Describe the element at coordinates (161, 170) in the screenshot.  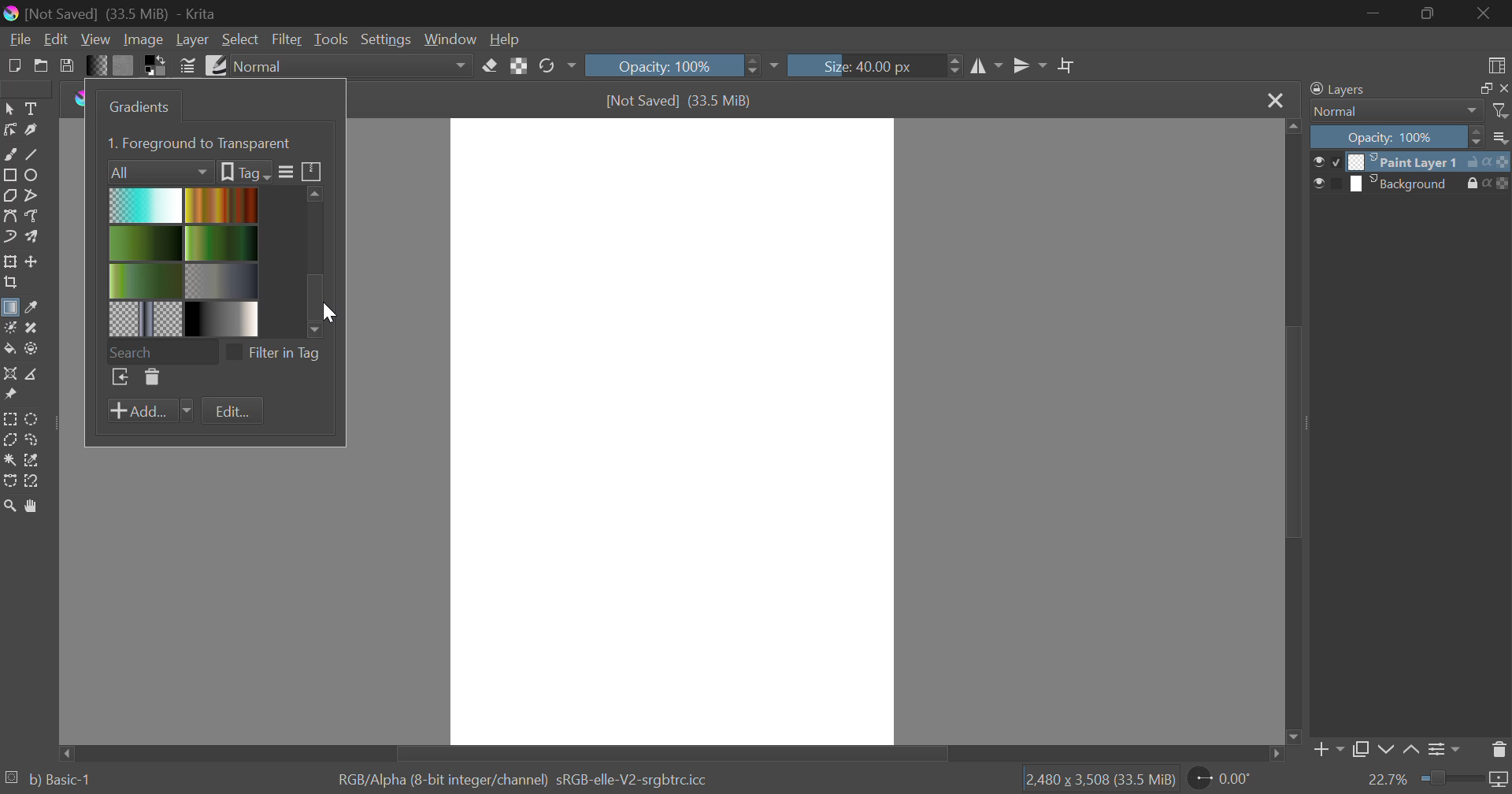
I see `All` at that location.